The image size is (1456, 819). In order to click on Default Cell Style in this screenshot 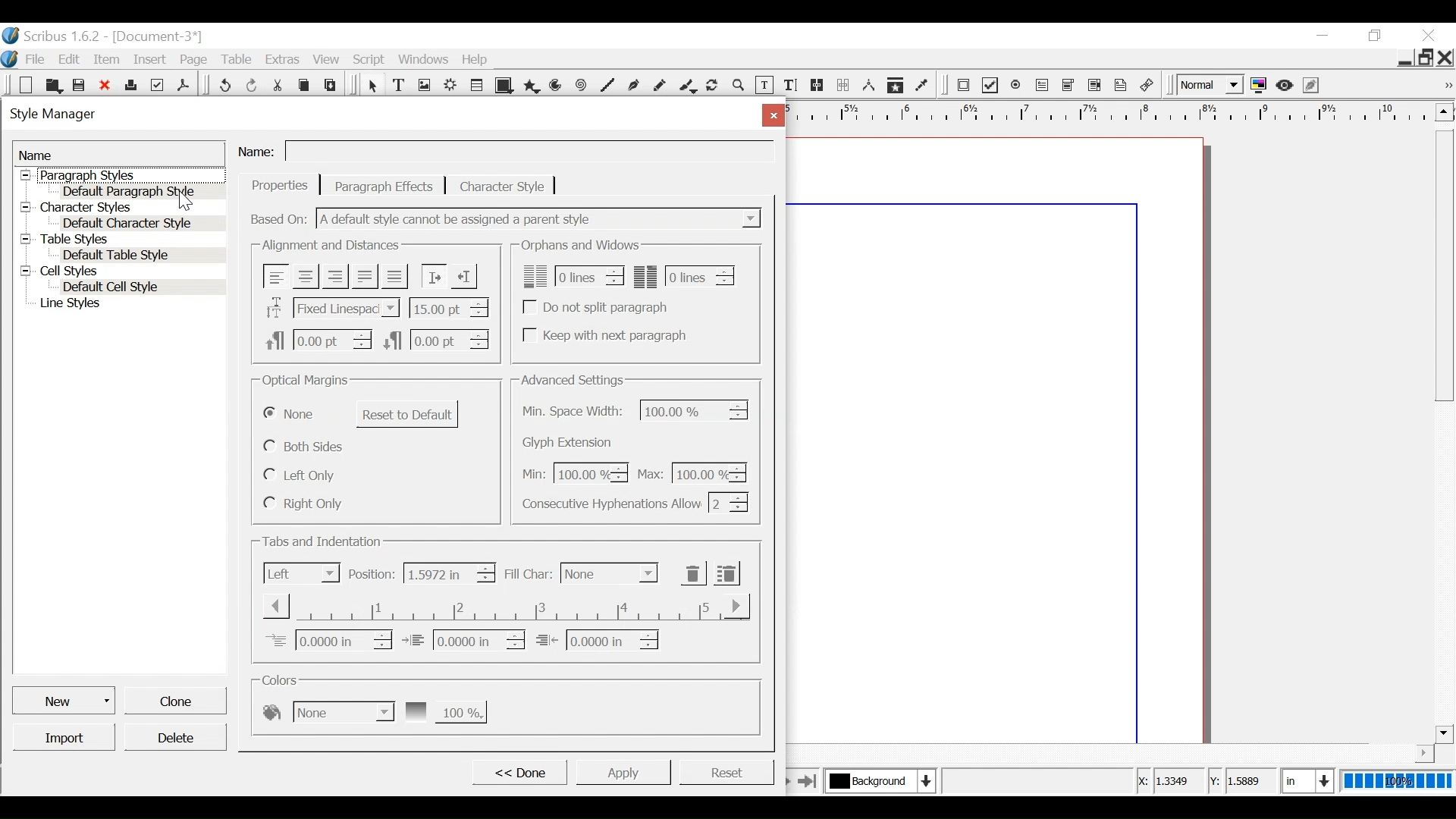, I will do `click(143, 288)`.